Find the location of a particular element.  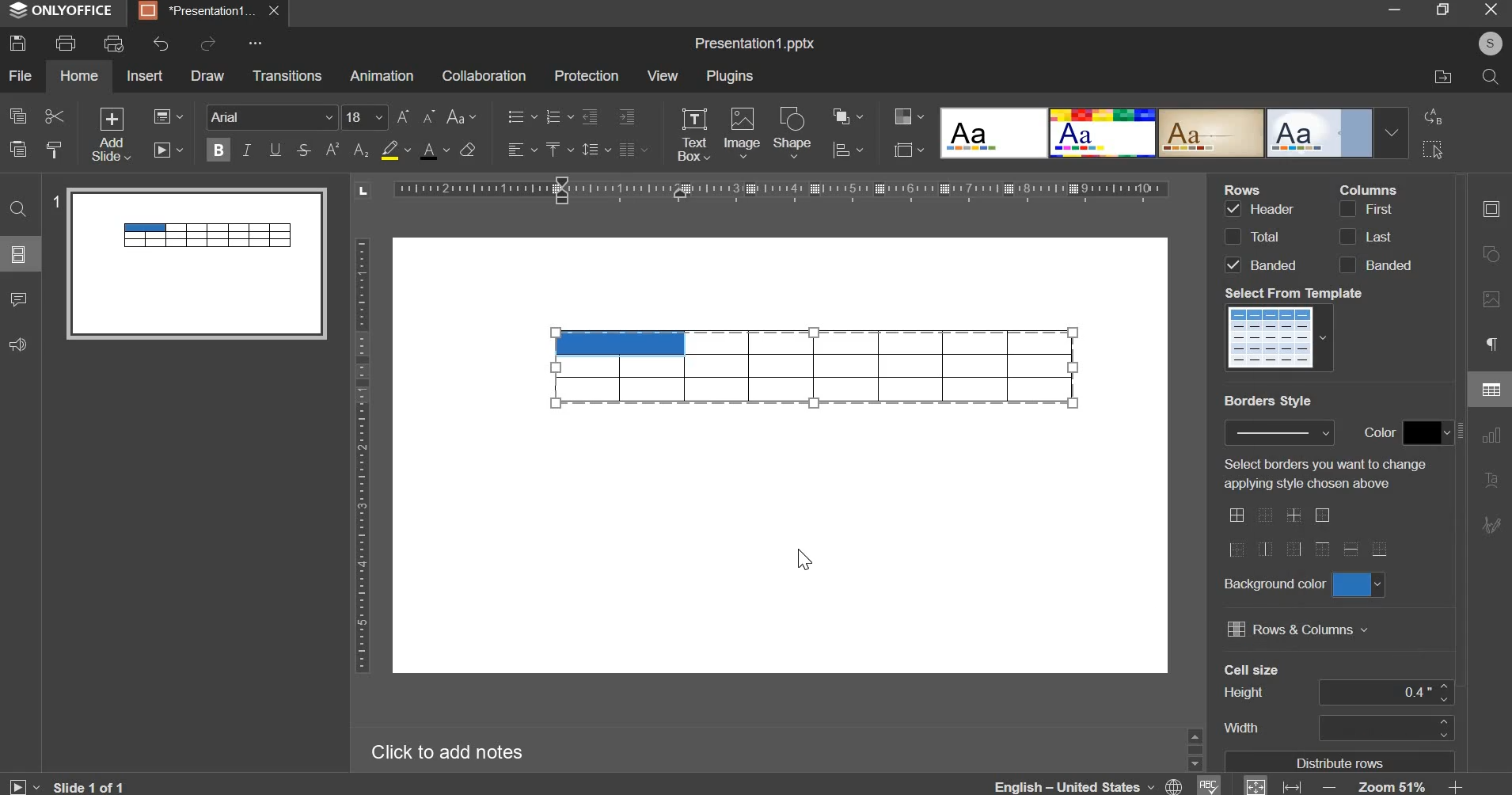

language & spelling is located at coordinates (1107, 784).